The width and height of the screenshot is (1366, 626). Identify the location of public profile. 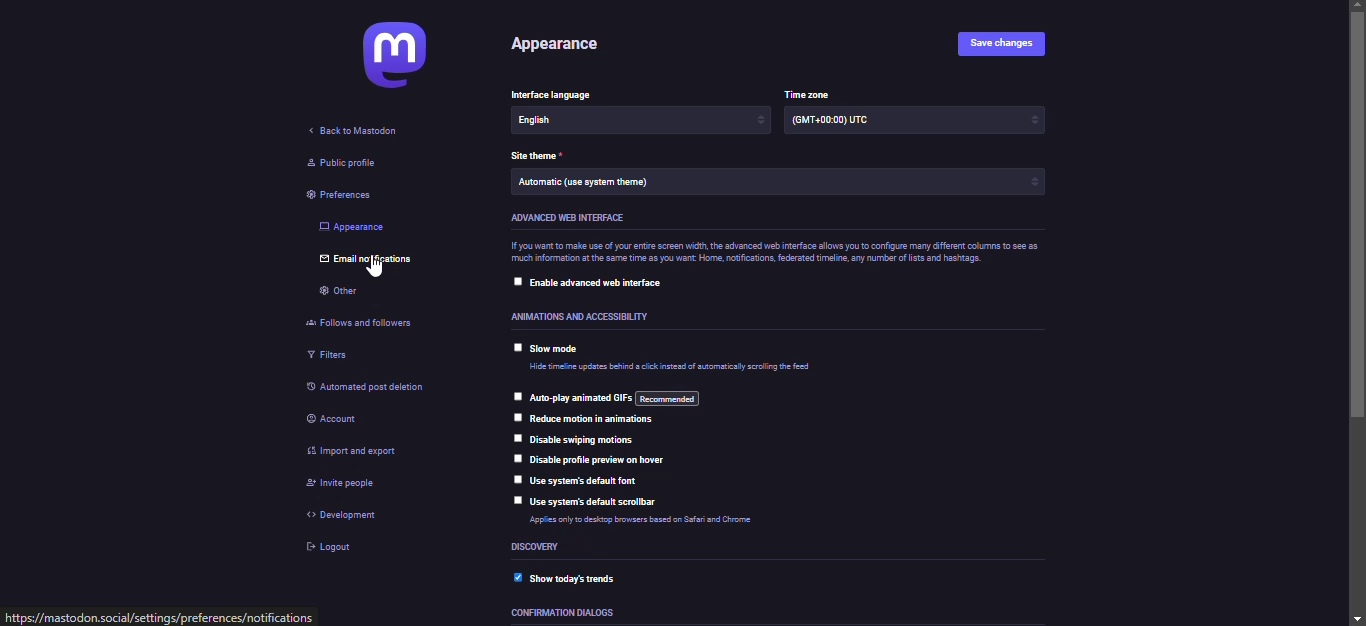
(338, 163).